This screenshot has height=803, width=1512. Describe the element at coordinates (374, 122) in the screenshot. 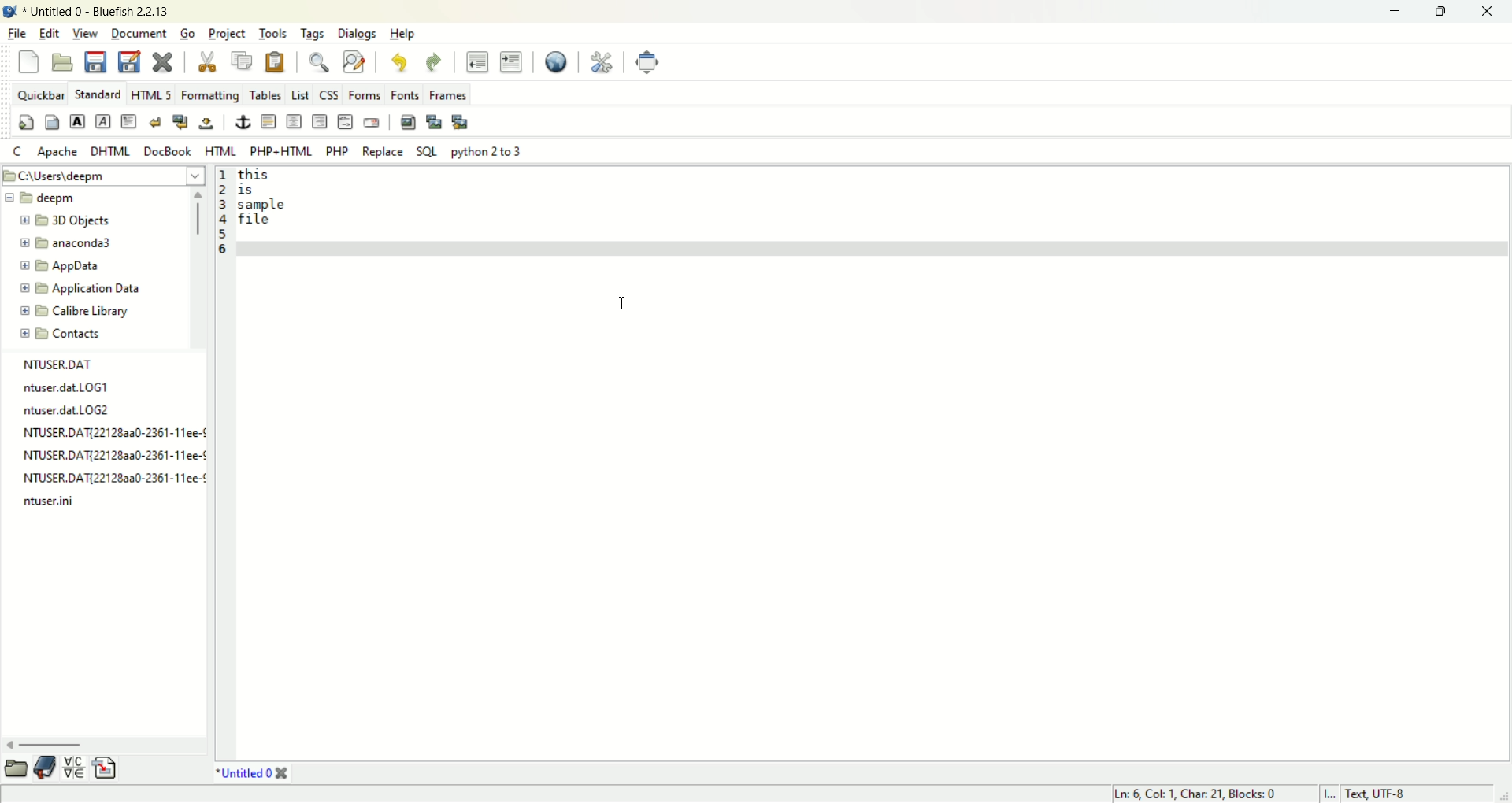

I see `email` at that location.